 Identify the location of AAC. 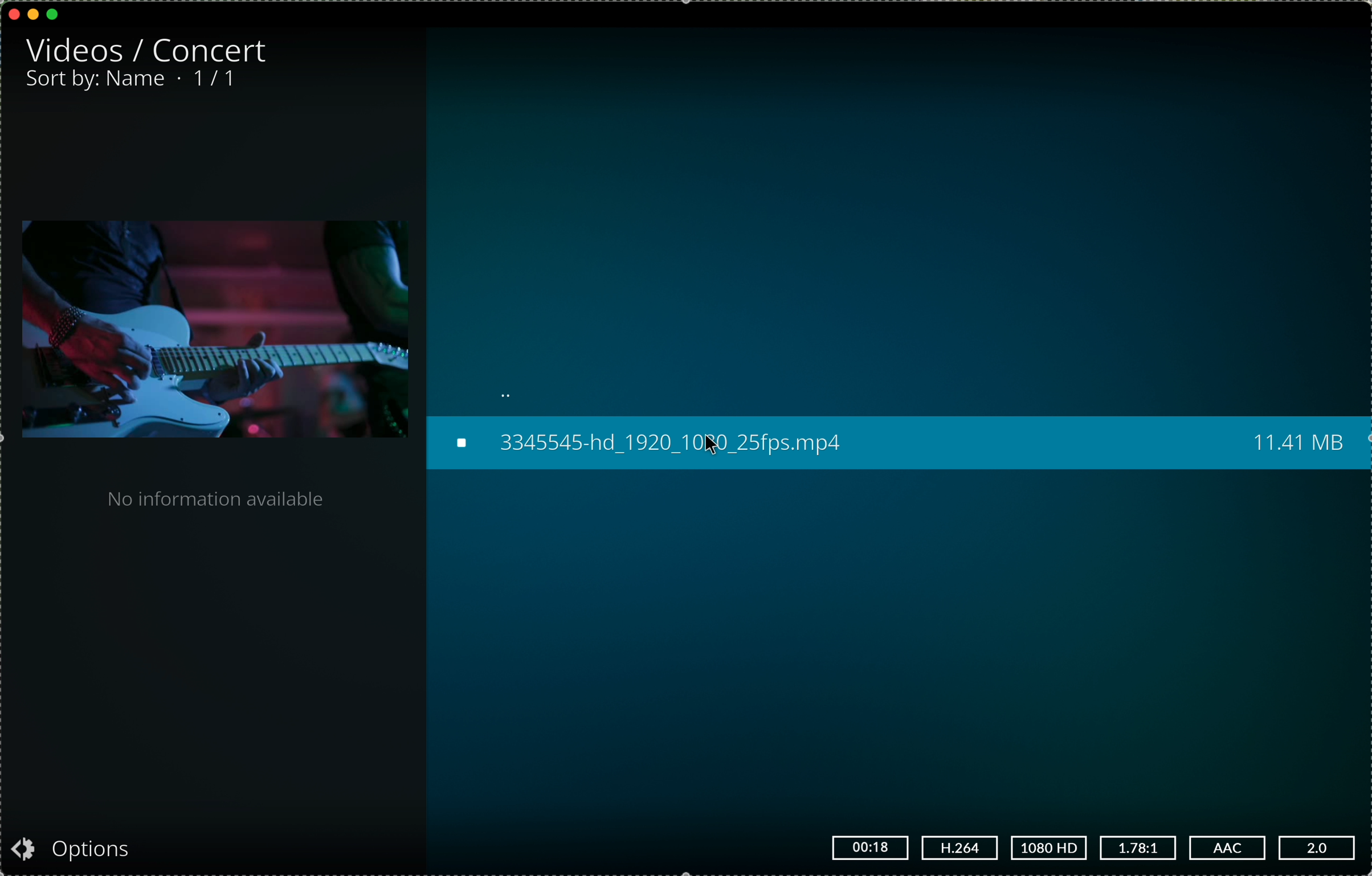
(1228, 848).